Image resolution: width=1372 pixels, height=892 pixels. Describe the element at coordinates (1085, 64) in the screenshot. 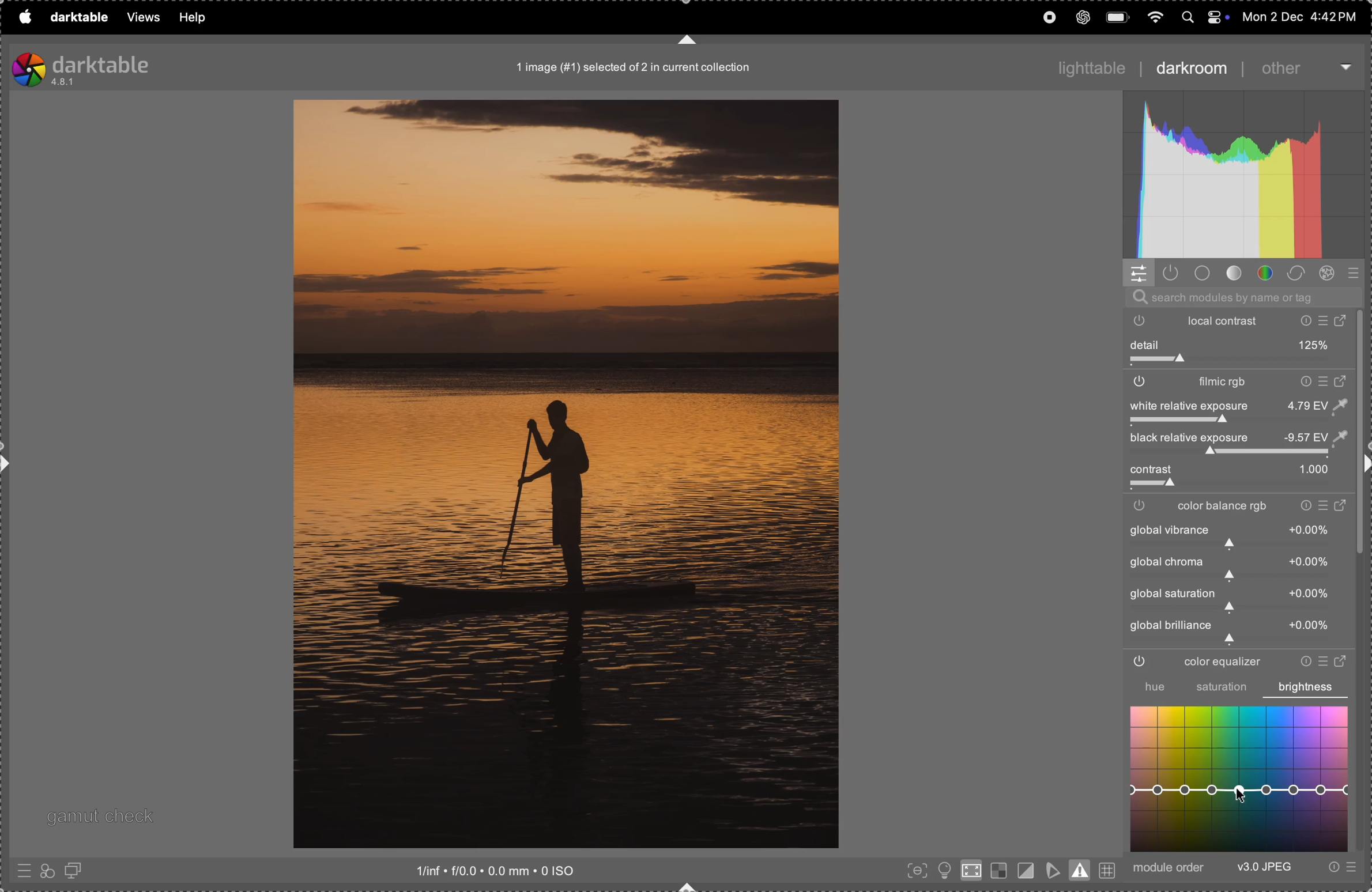

I see `lightable` at that location.